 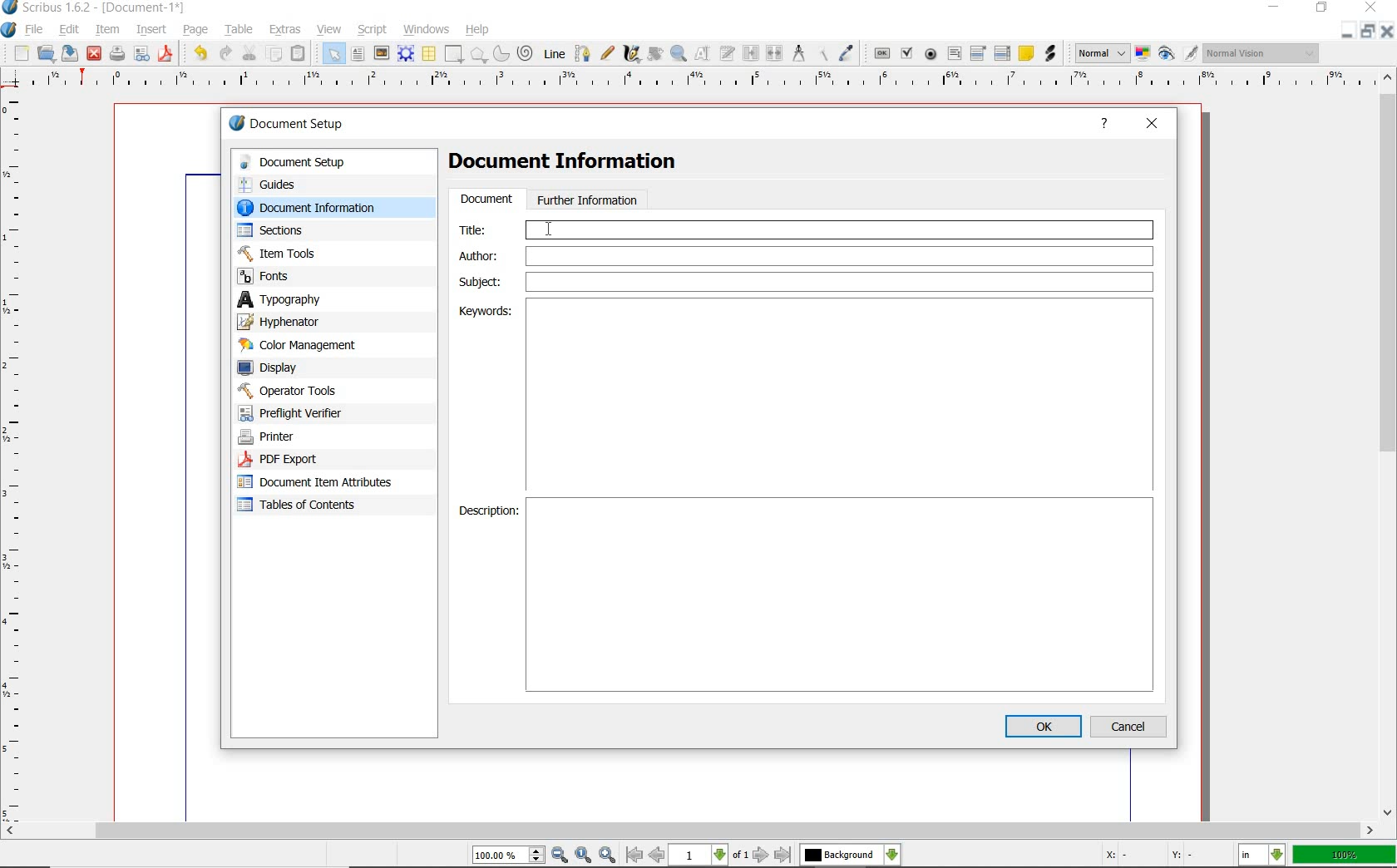 I want to click on edit, so click(x=70, y=29).